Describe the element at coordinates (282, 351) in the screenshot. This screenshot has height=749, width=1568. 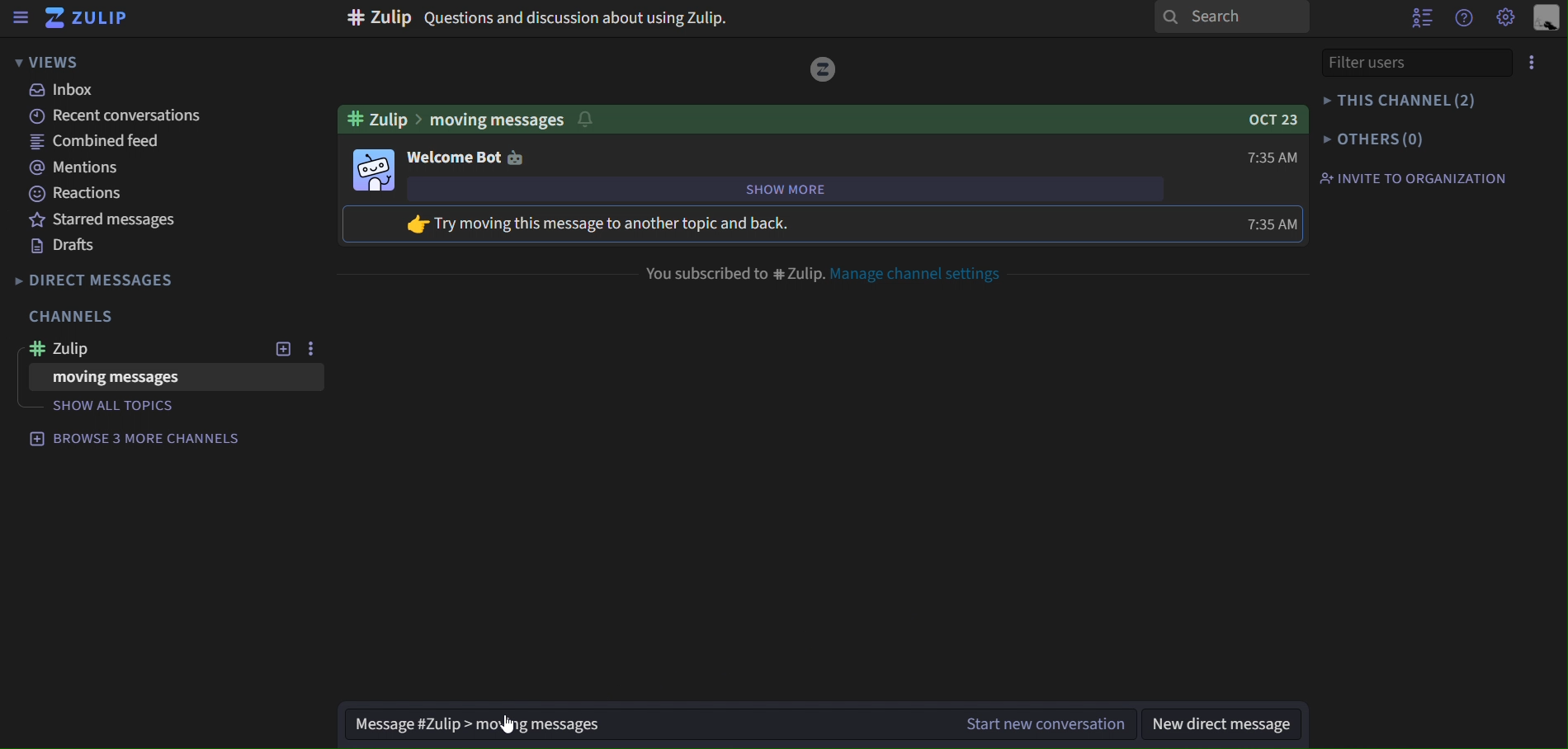
I see `add` at that location.